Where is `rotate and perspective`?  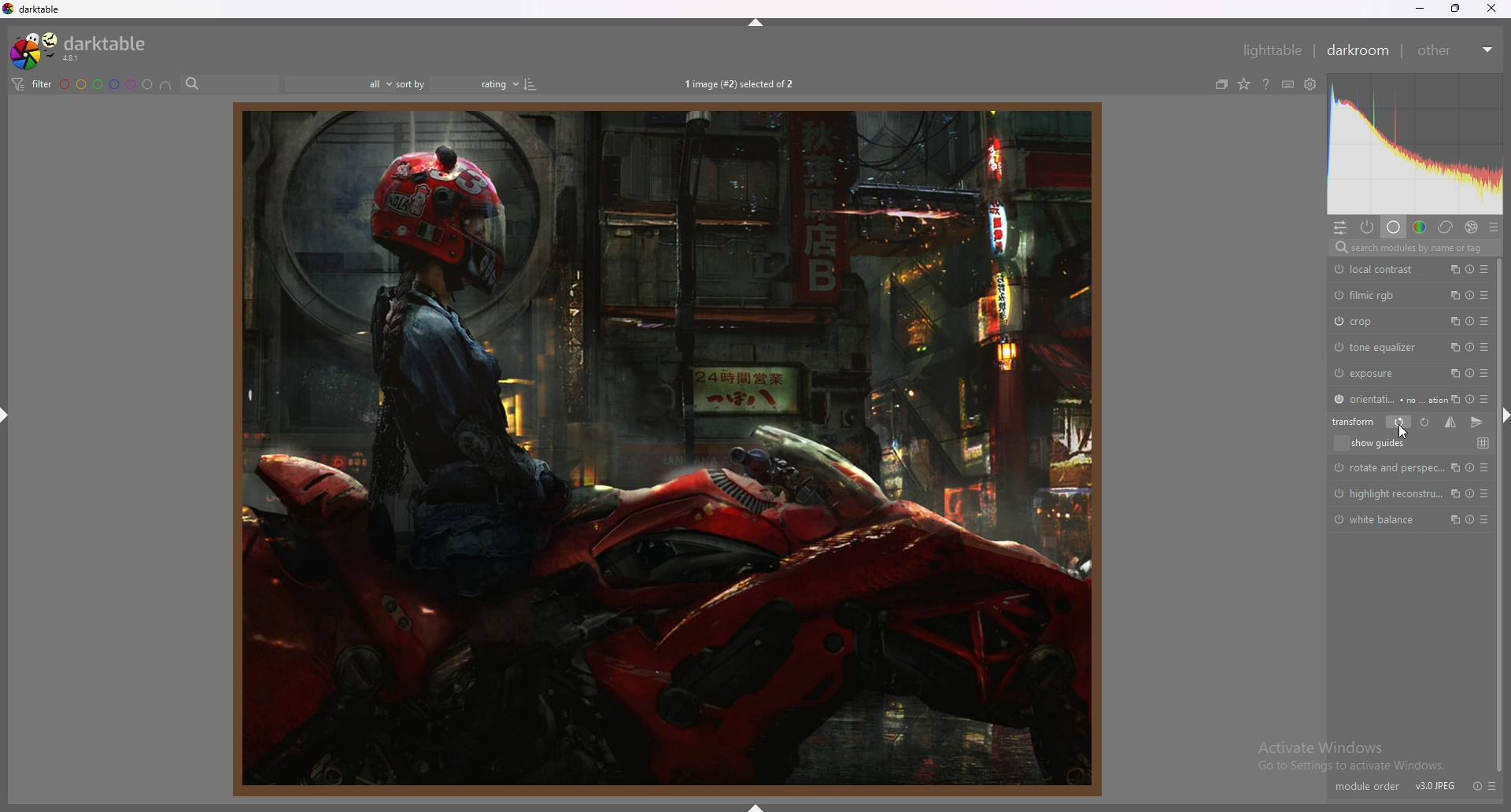 rotate and perspective is located at coordinates (1387, 467).